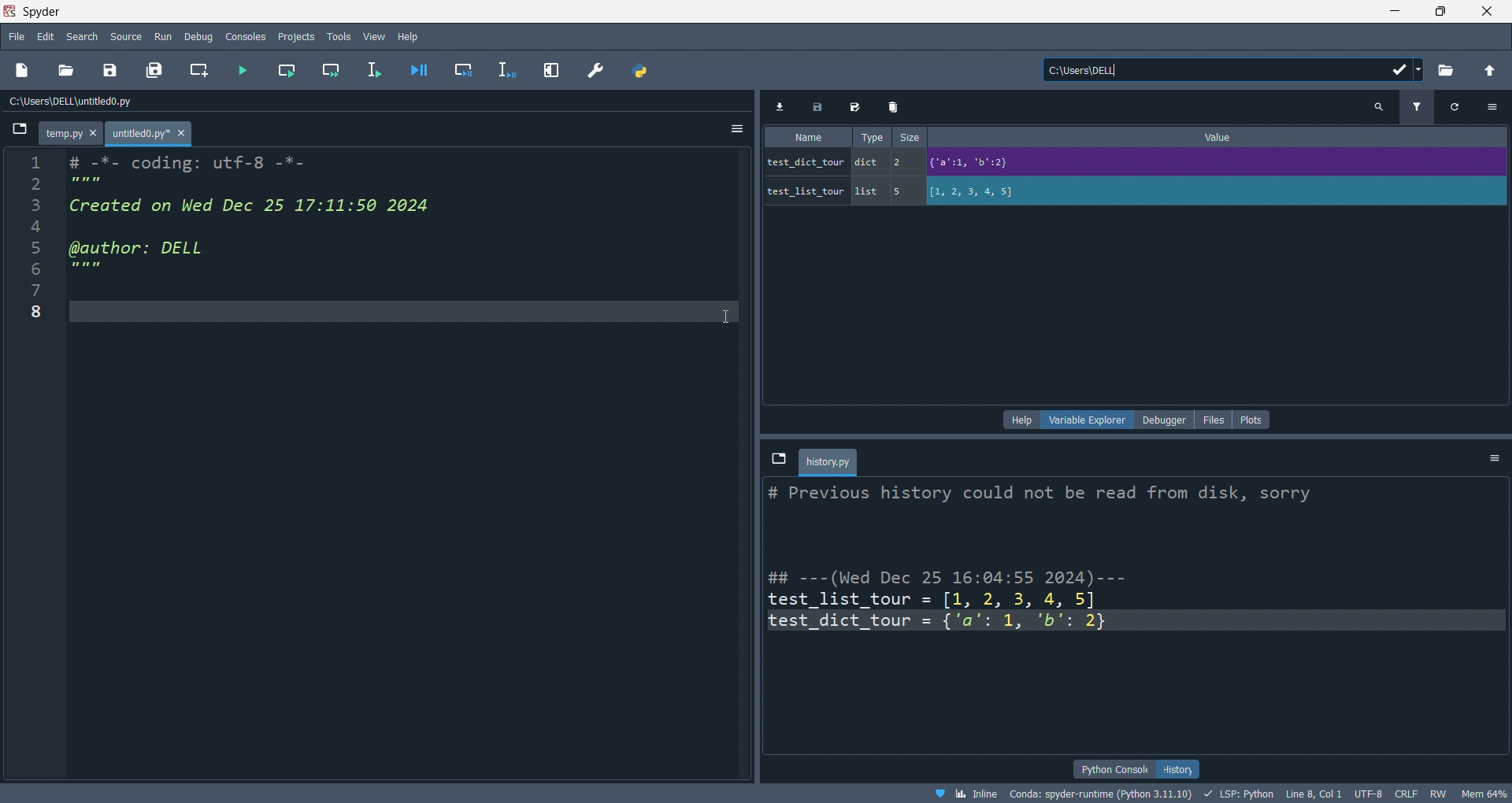  I want to click on cursor, so click(382, 42).